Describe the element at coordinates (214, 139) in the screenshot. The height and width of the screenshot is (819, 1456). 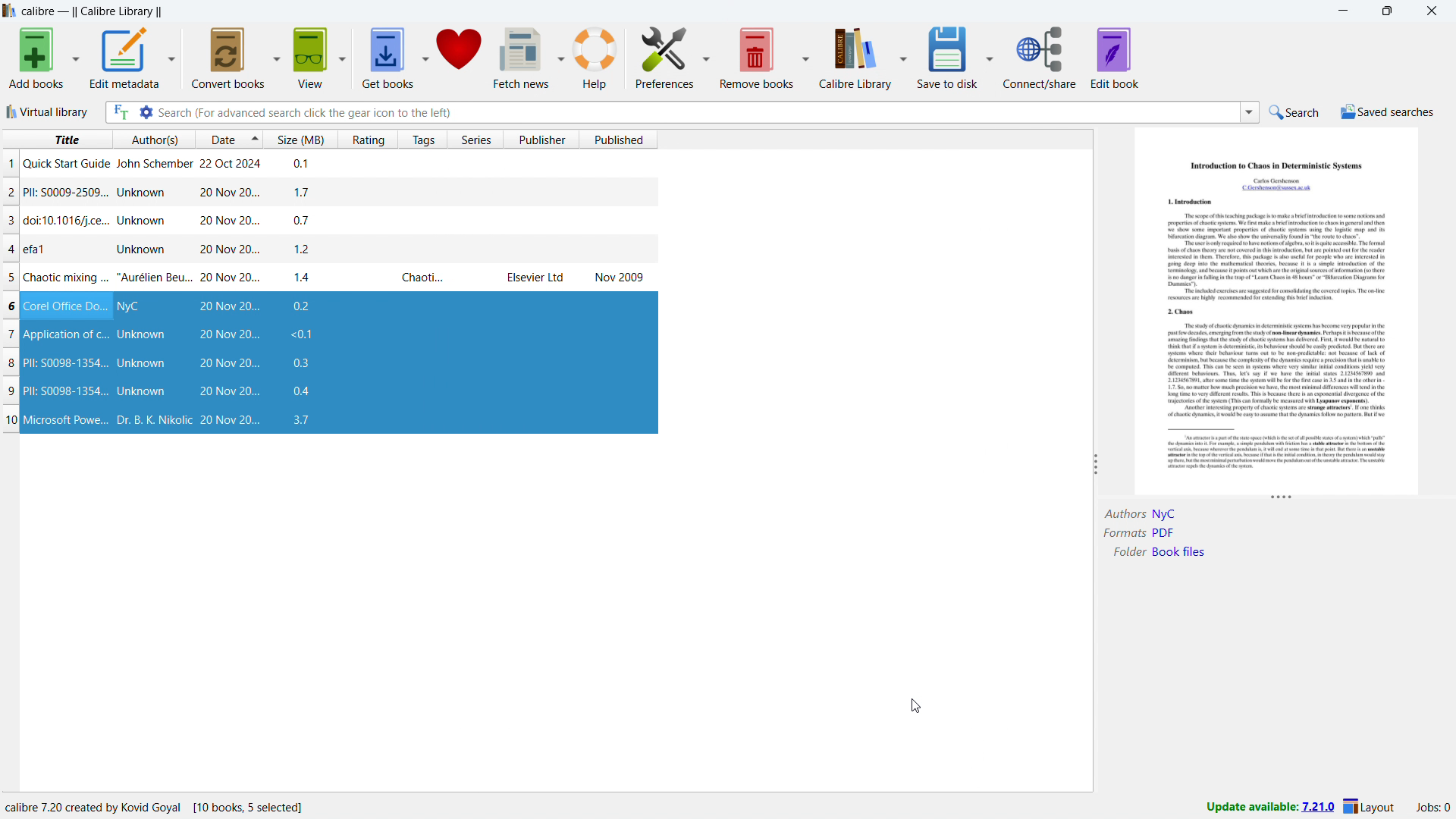
I see `sort by date` at that location.